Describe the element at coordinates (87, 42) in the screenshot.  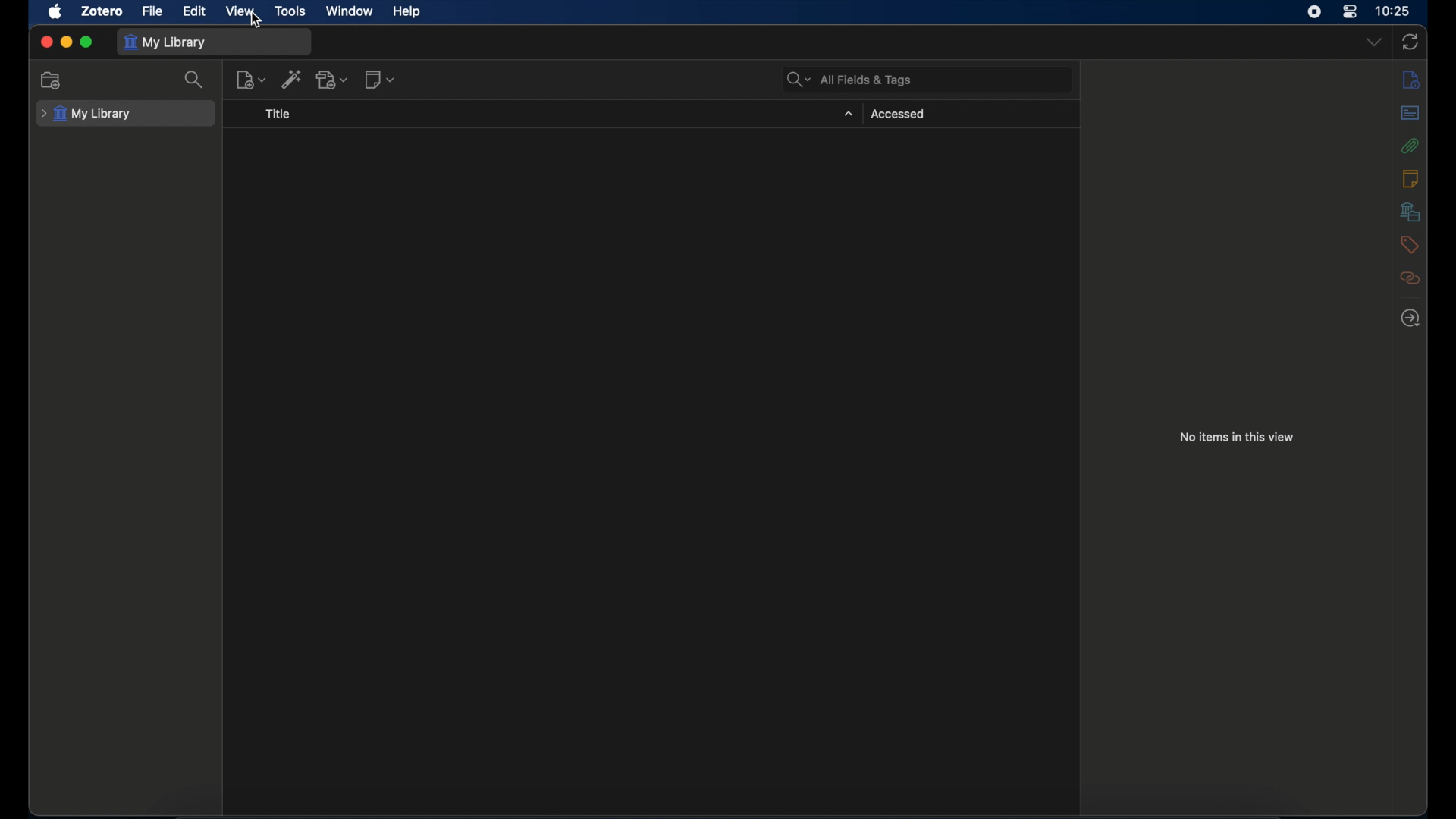
I see `maximize` at that location.